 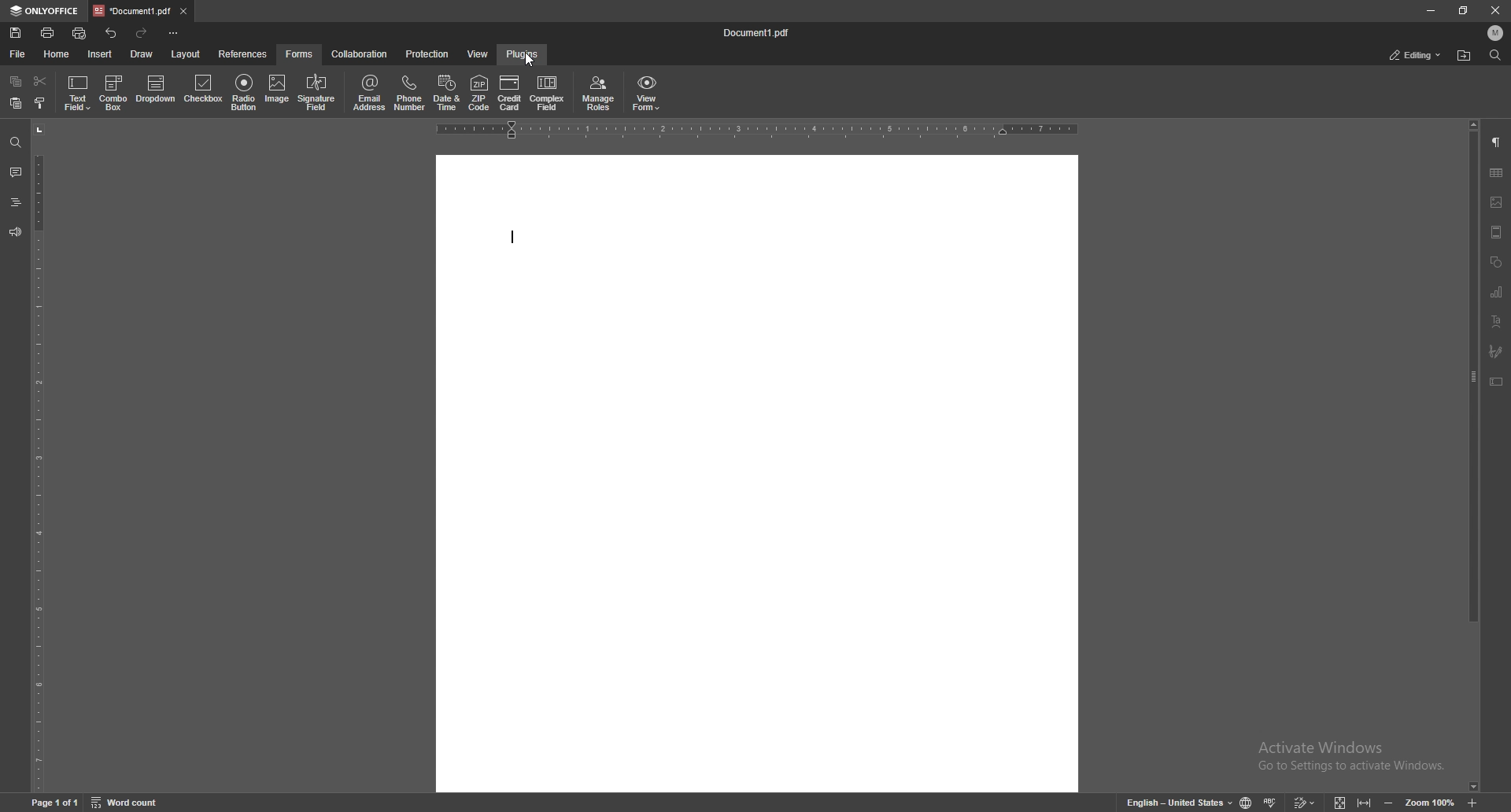 I want to click on close, so click(x=1494, y=11).